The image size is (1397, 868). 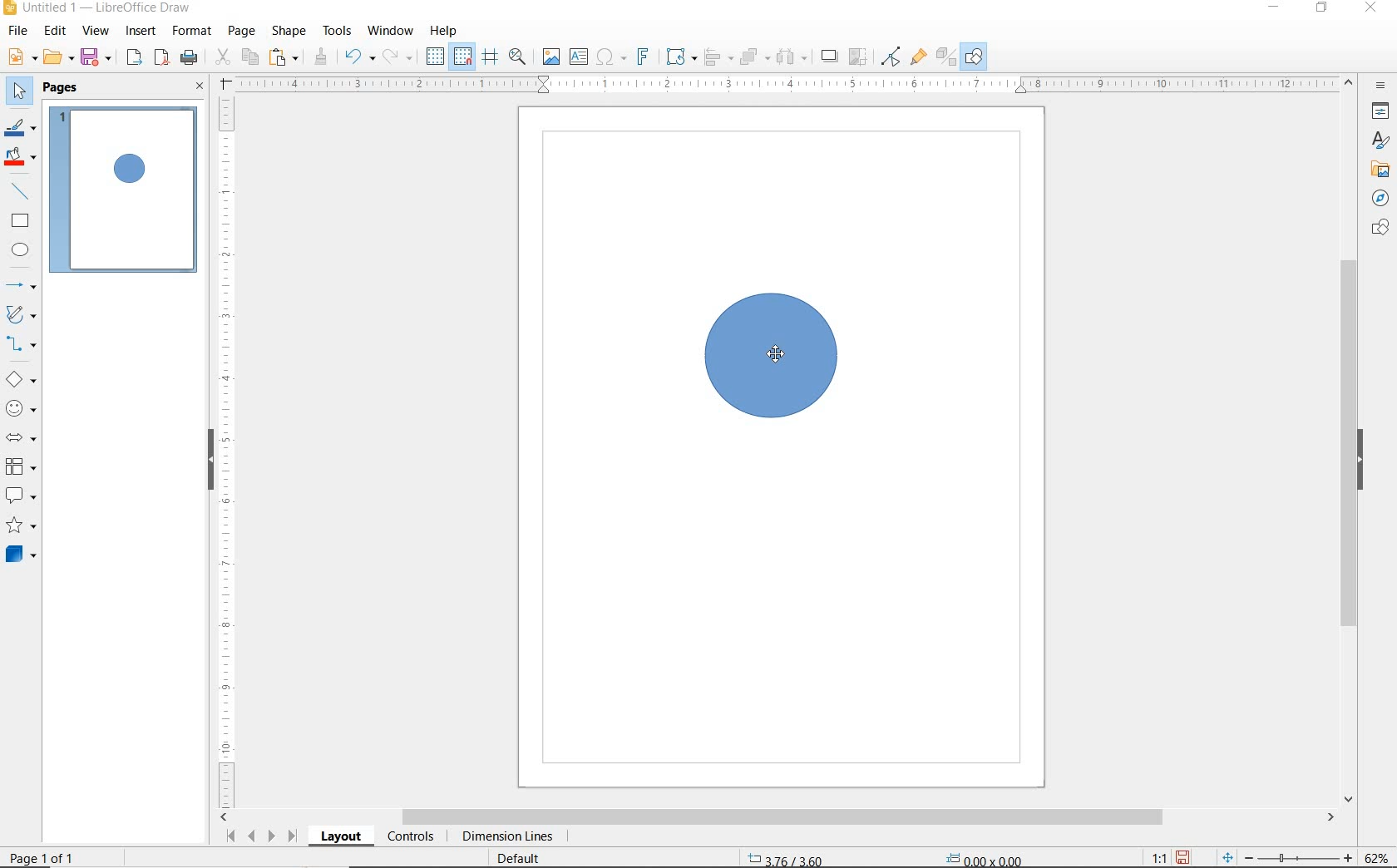 What do you see at coordinates (549, 57) in the screenshot?
I see `INSERT IMAGE` at bounding box center [549, 57].